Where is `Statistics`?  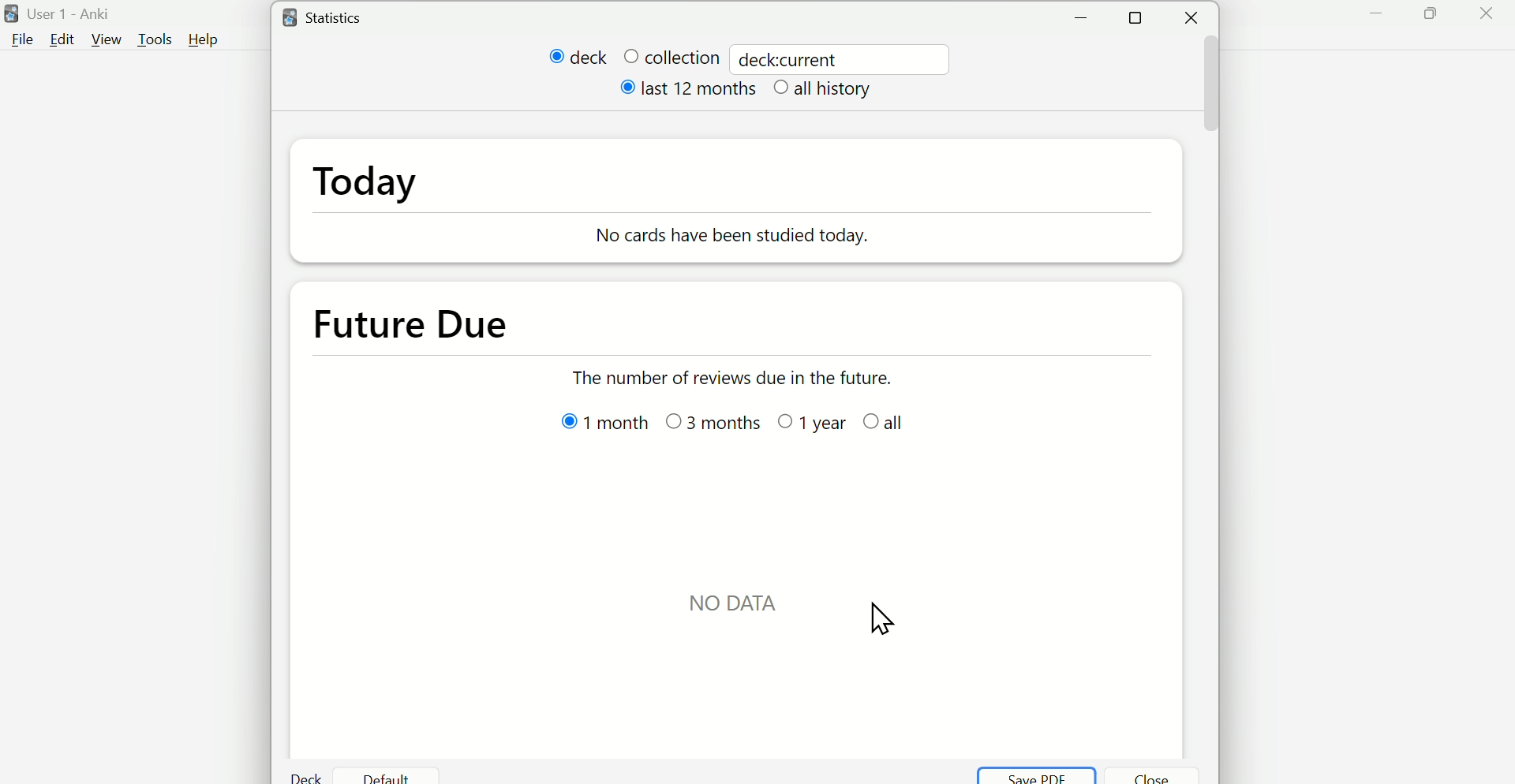 Statistics is located at coordinates (327, 17).